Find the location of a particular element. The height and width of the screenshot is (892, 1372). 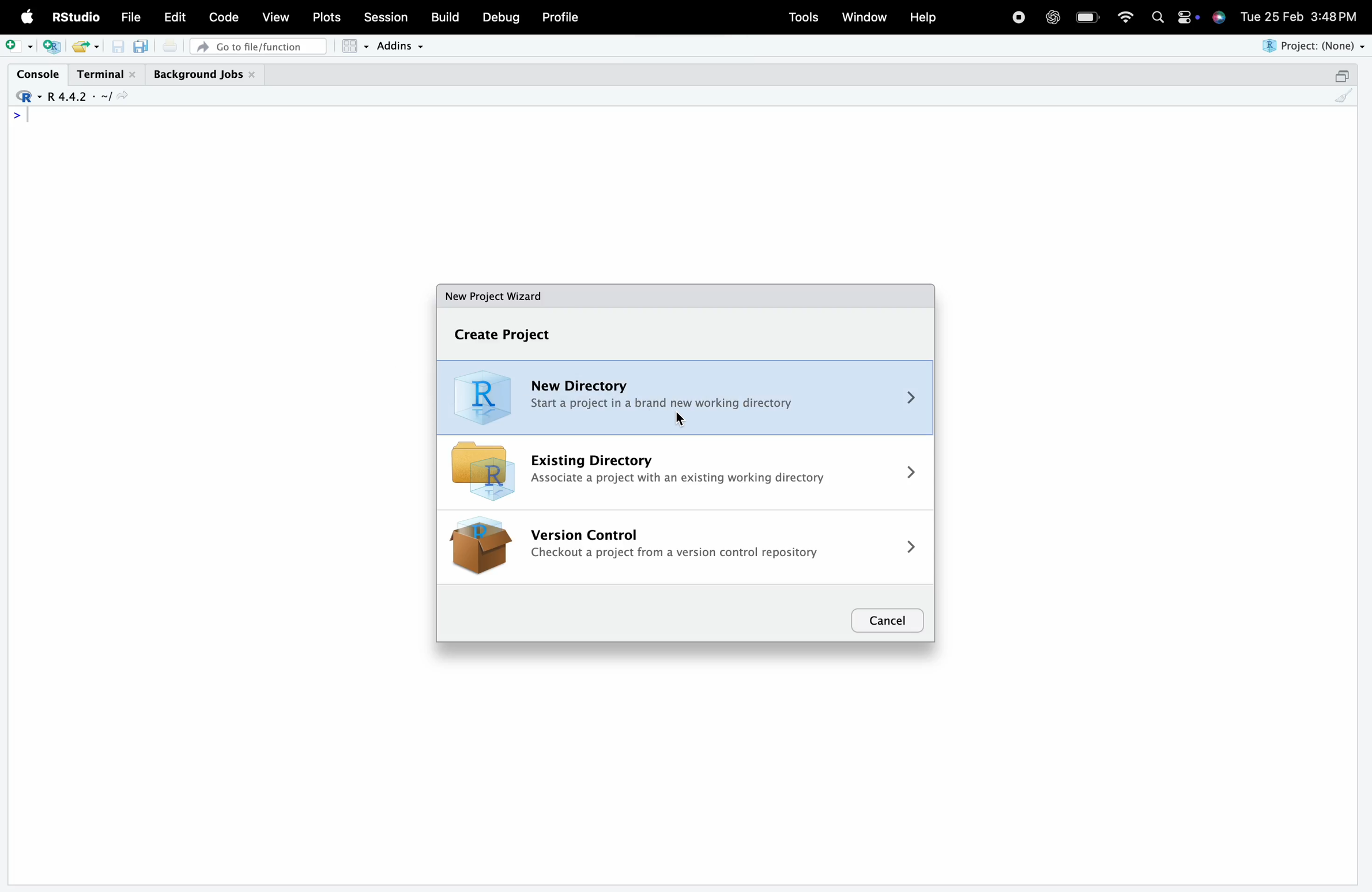

Version Control Checkout a project from a version control repository is located at coordinates (685, 544).